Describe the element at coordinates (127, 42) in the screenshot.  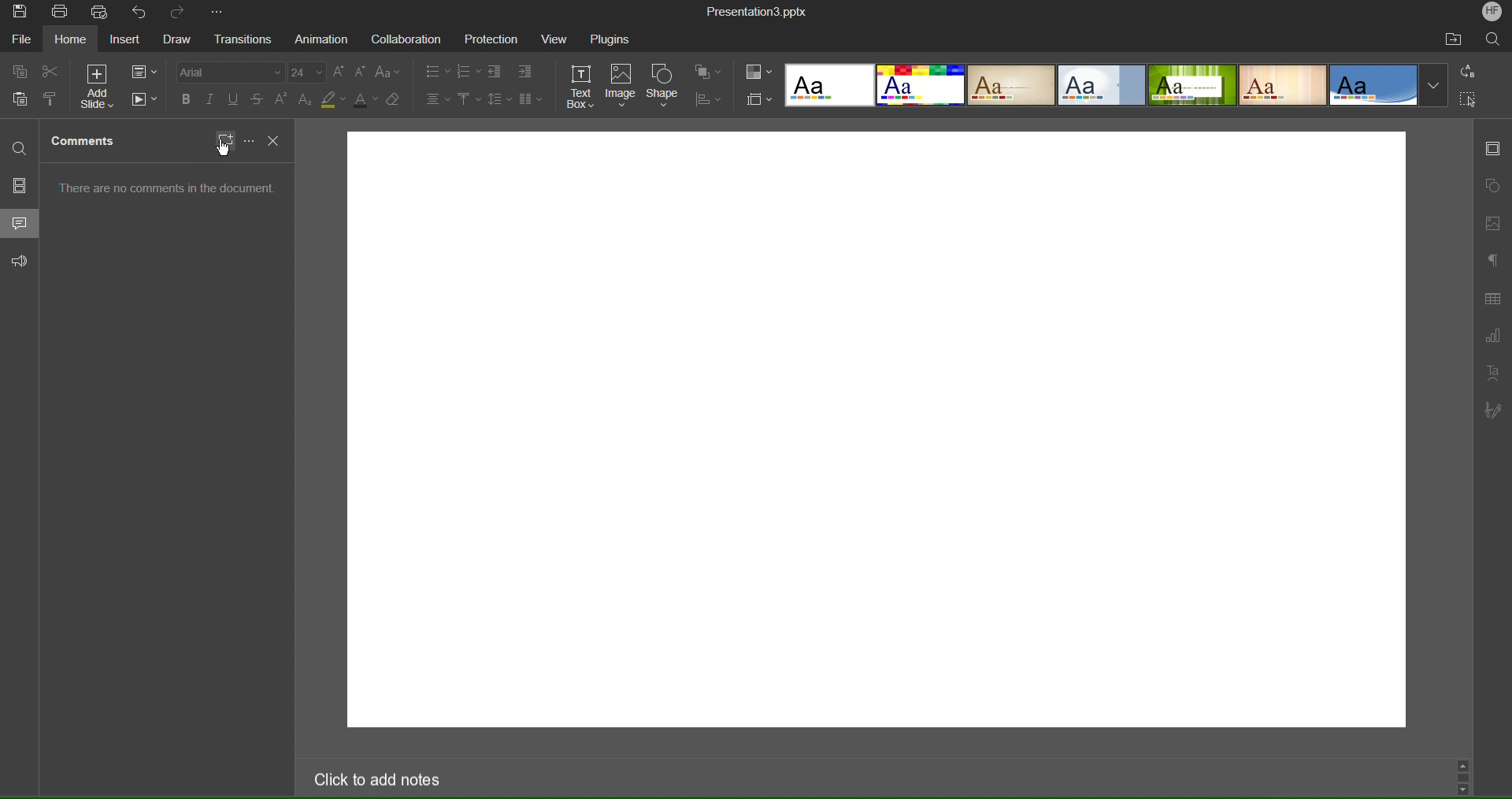
I see `Insert` at that location.